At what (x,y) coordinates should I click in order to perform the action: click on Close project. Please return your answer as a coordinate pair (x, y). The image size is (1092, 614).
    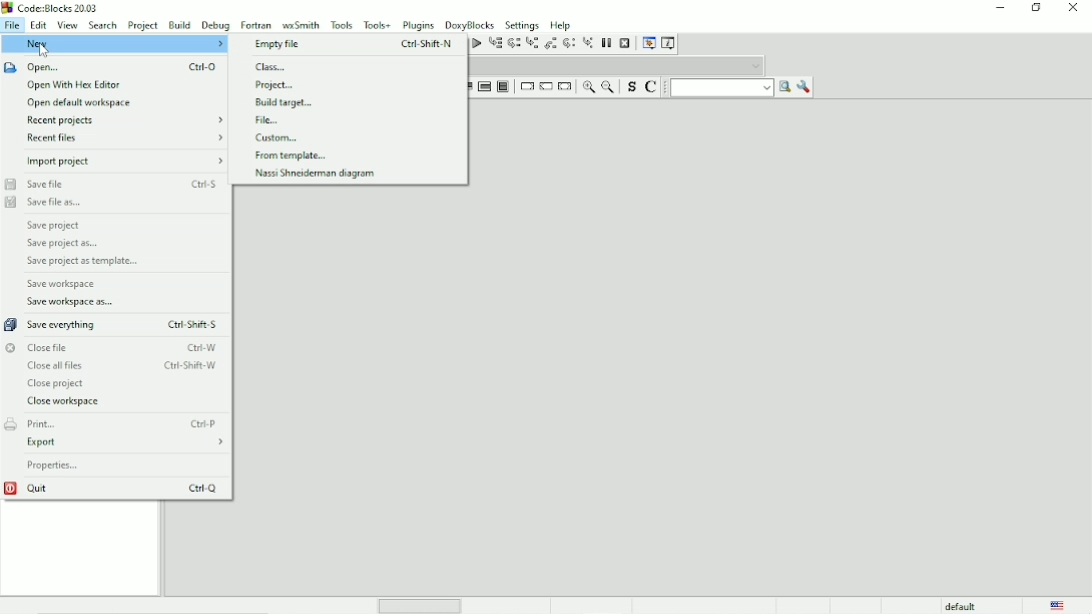
    Looking at the image, I should click on (57, 384).